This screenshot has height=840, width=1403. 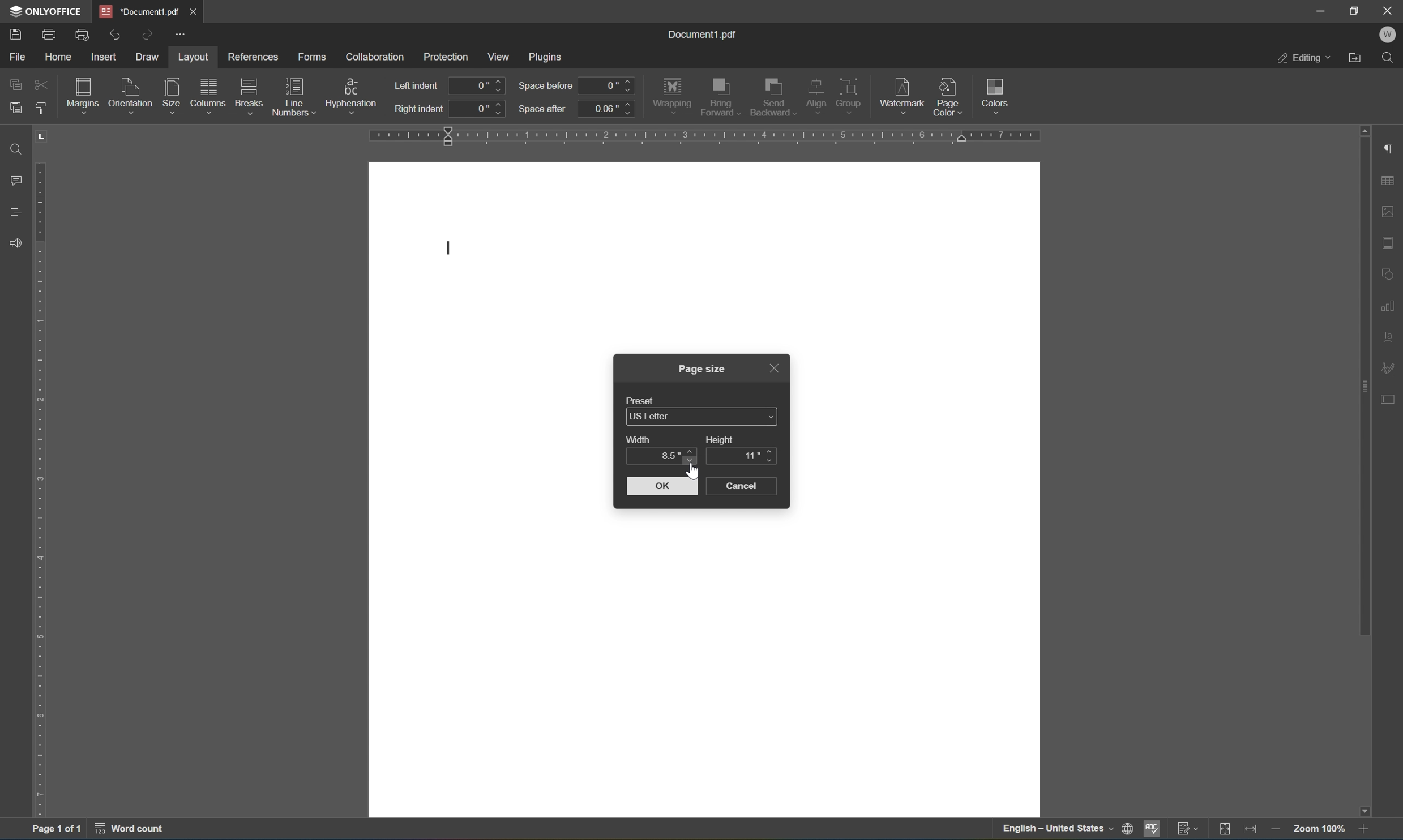 What do you see at coordinates (1356, 9) in the screenshot?
I see `restore down` at bounding box center [1356, 9].